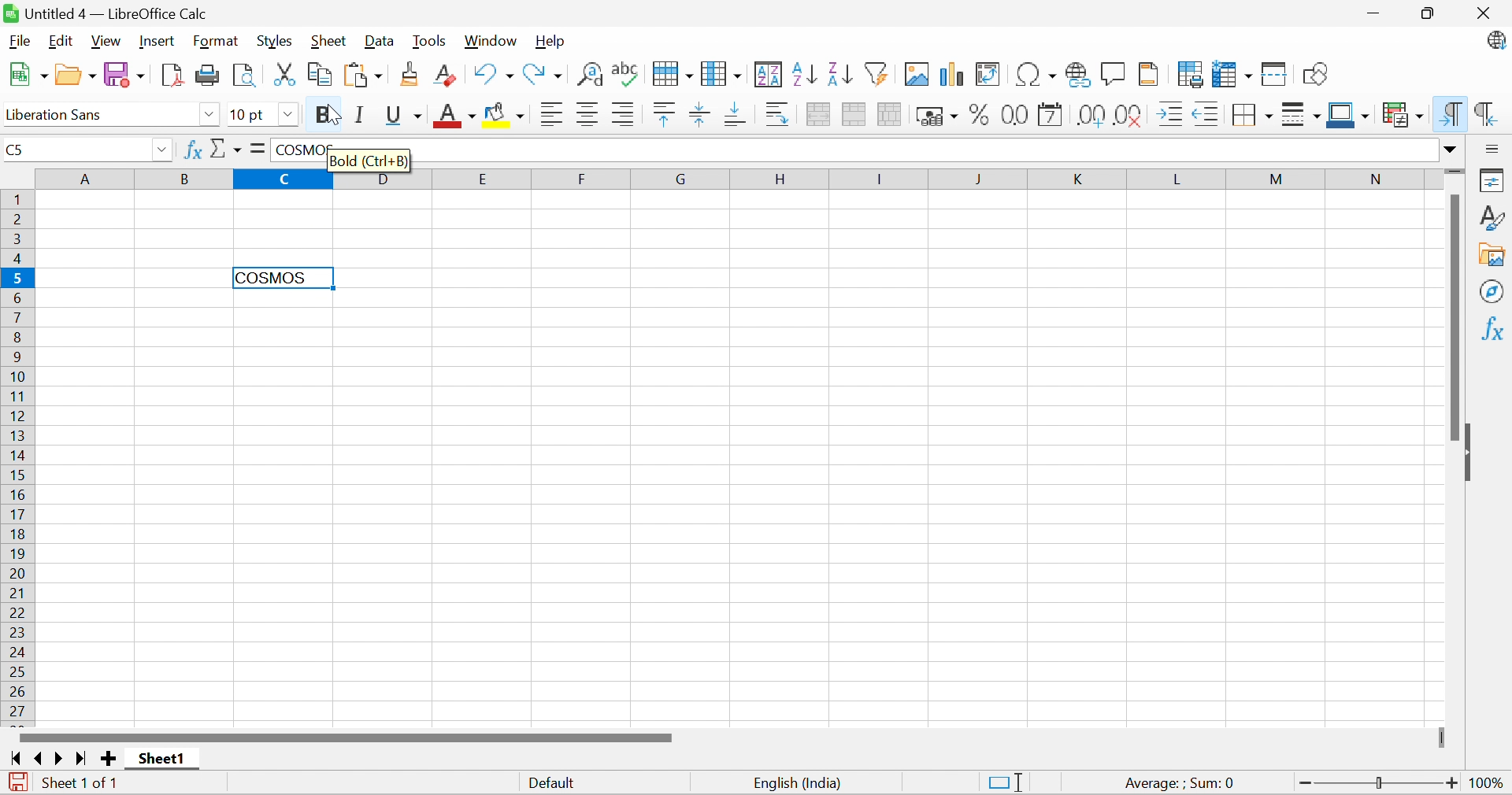 The image size is (1512, 795). What do you see at coordinates (917, 74) in the screenshot?
I see `Insert Image` at bounding box center [917, 74].